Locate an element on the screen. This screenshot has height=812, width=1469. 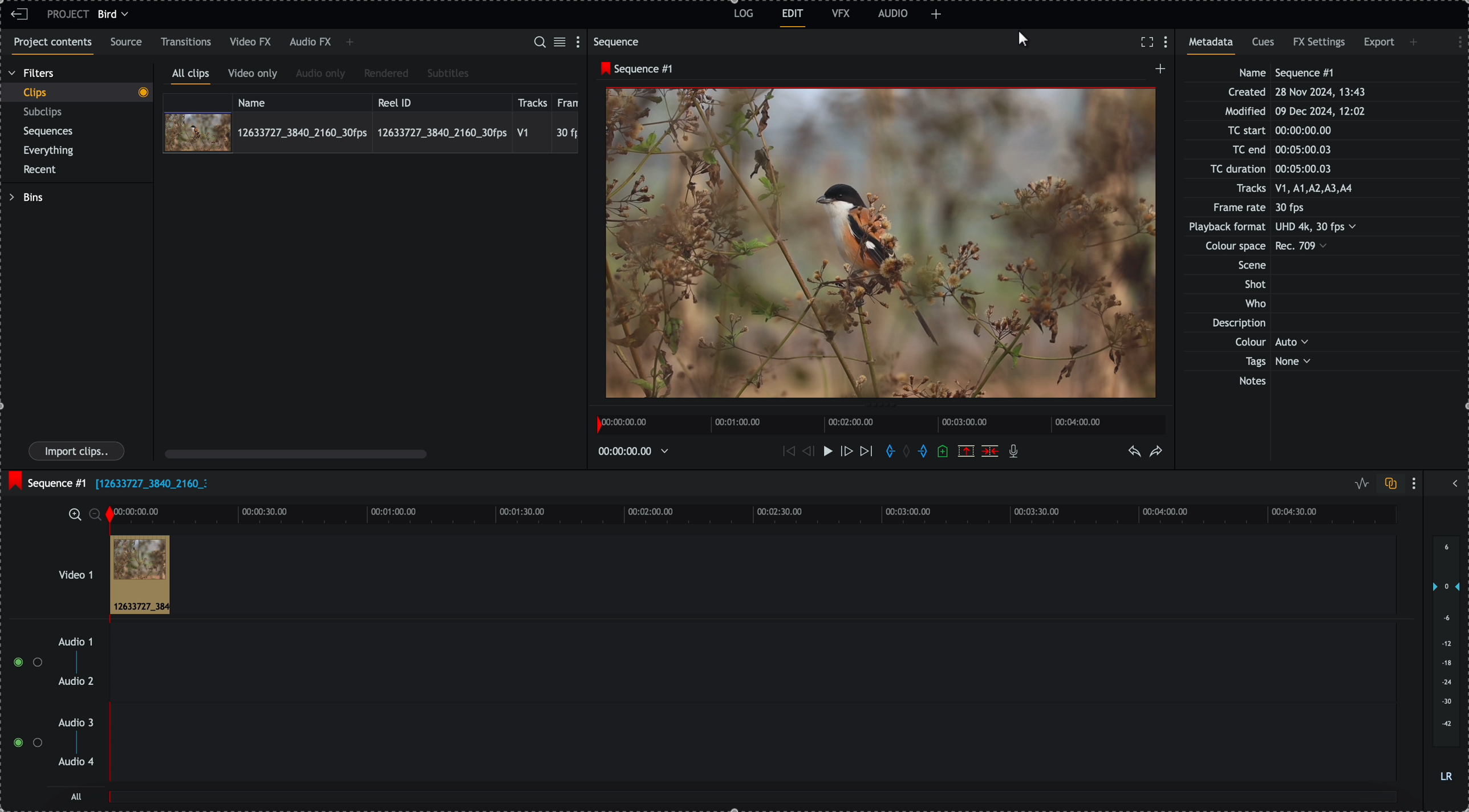
show settings menu is located at coordinates (1454, 40).